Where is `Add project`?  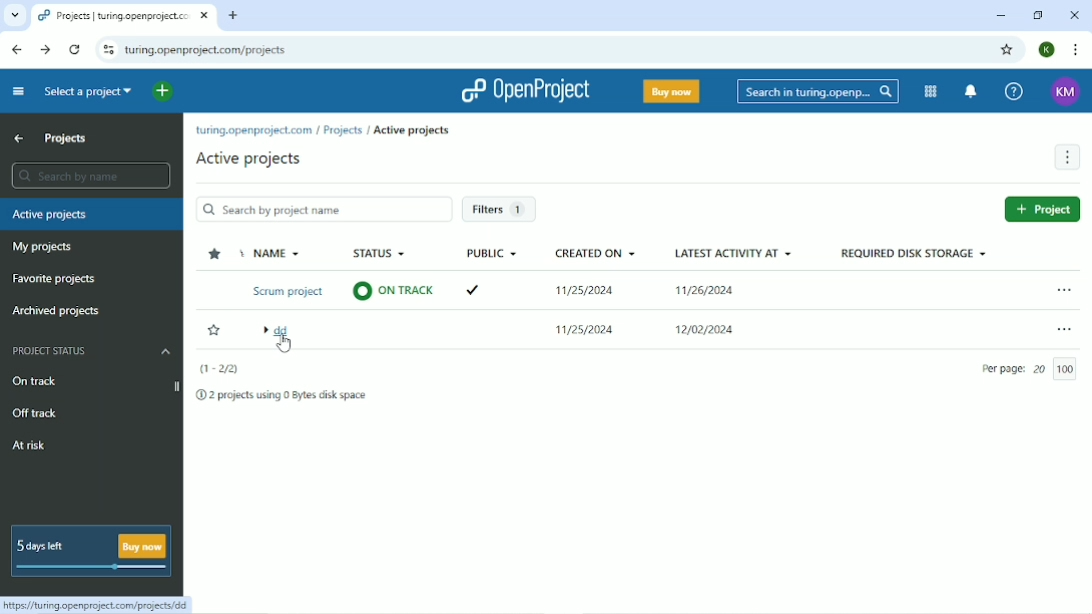
Add project is located at coordinates (1043, 210).